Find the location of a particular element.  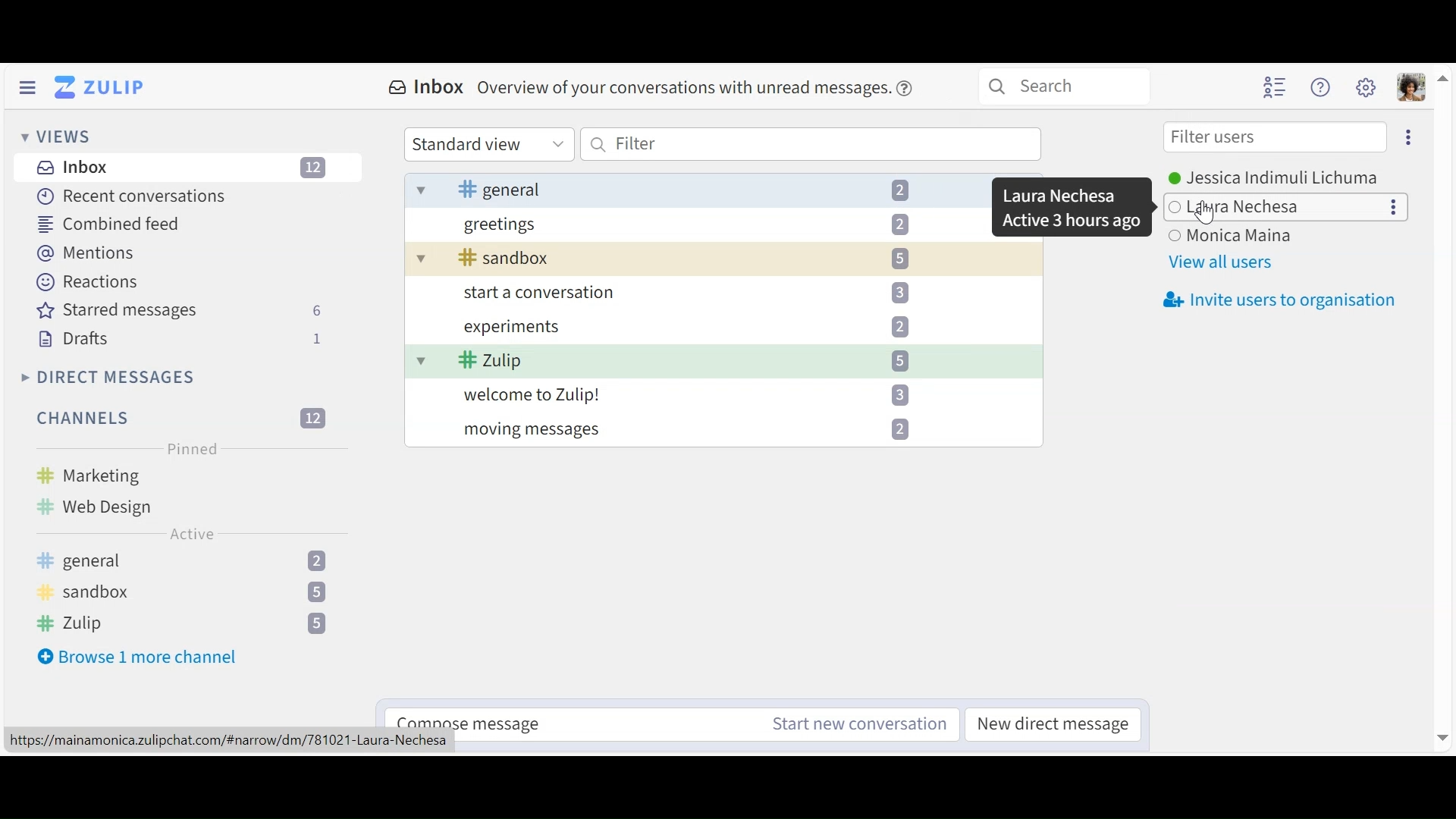

Starred messages is located at coordinates (180, 311).